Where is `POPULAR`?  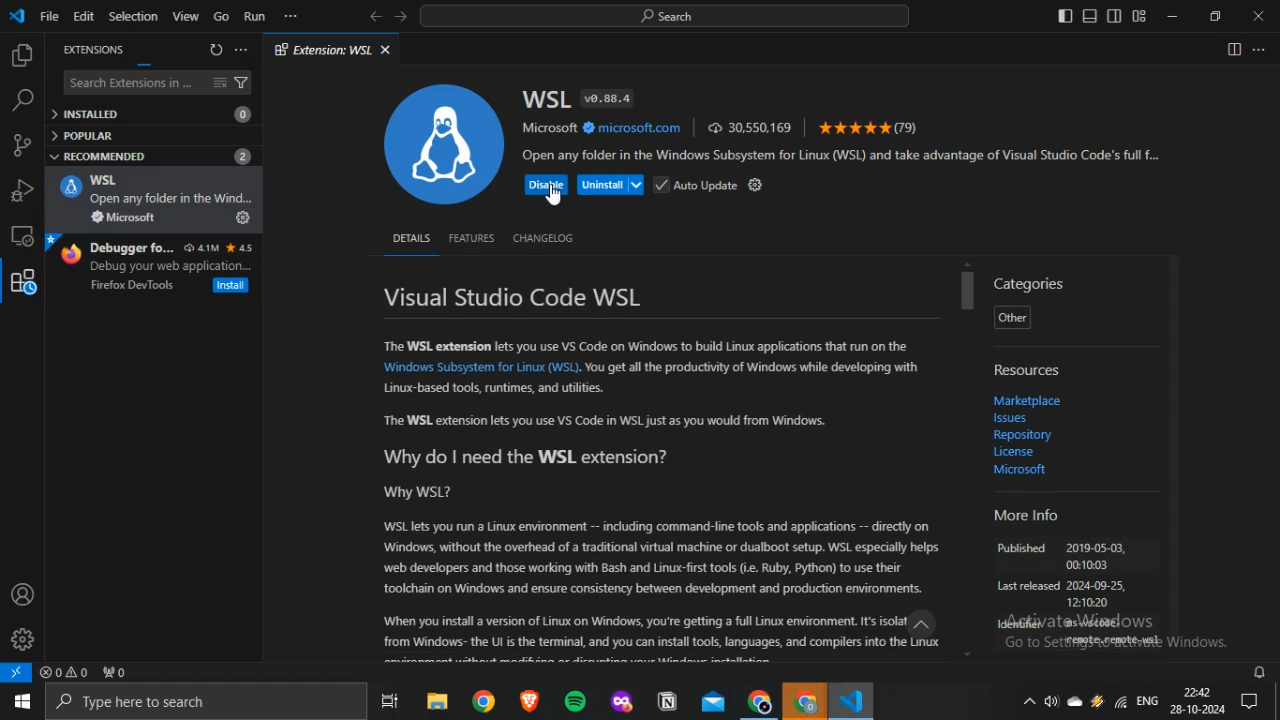
POPULAR is located at coordinates (88, 135).